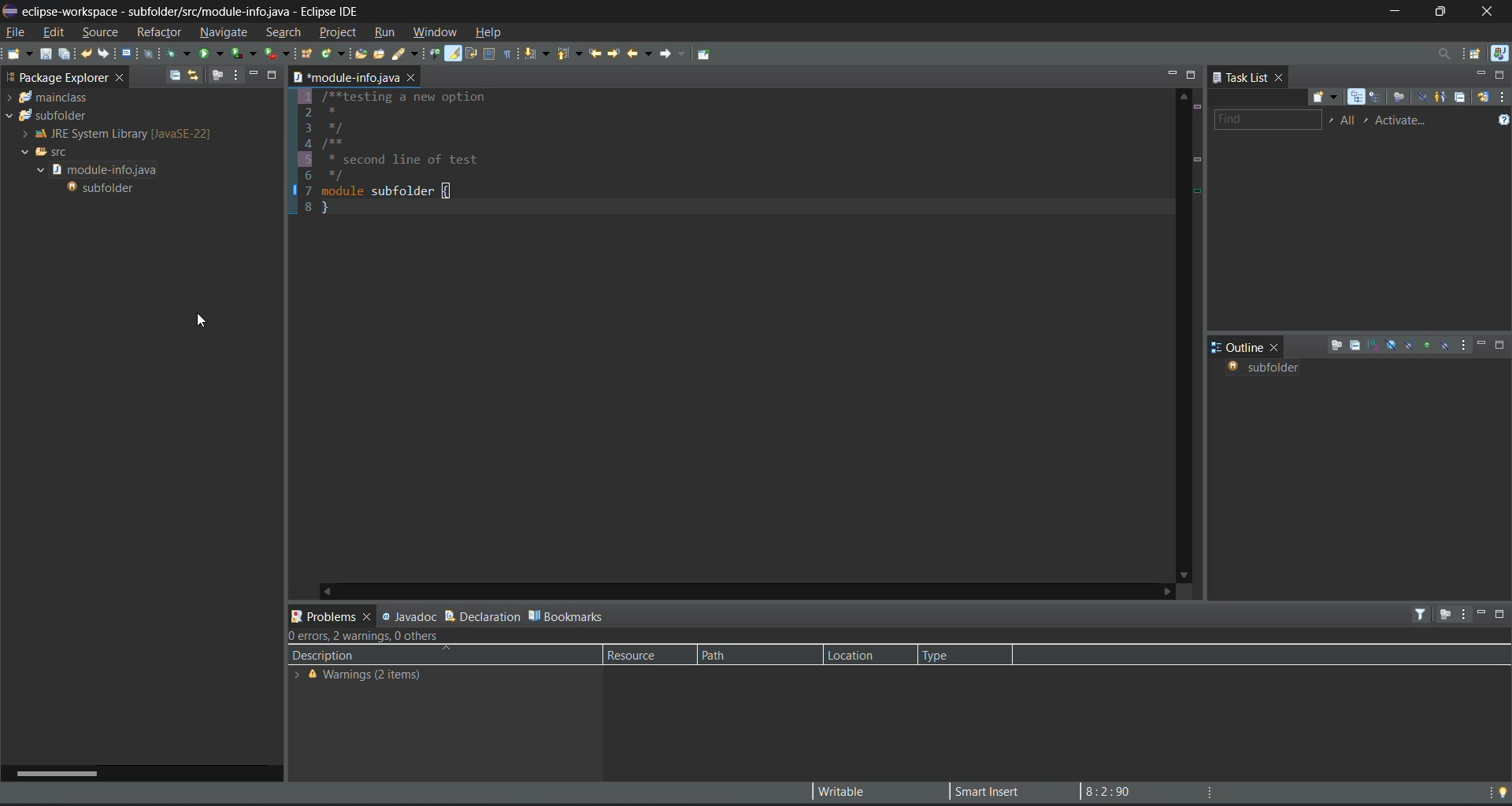  What do you see at coordinates (1396, 10) in the screenshot?
I see `minimize` at bounding box center [1396, 10].